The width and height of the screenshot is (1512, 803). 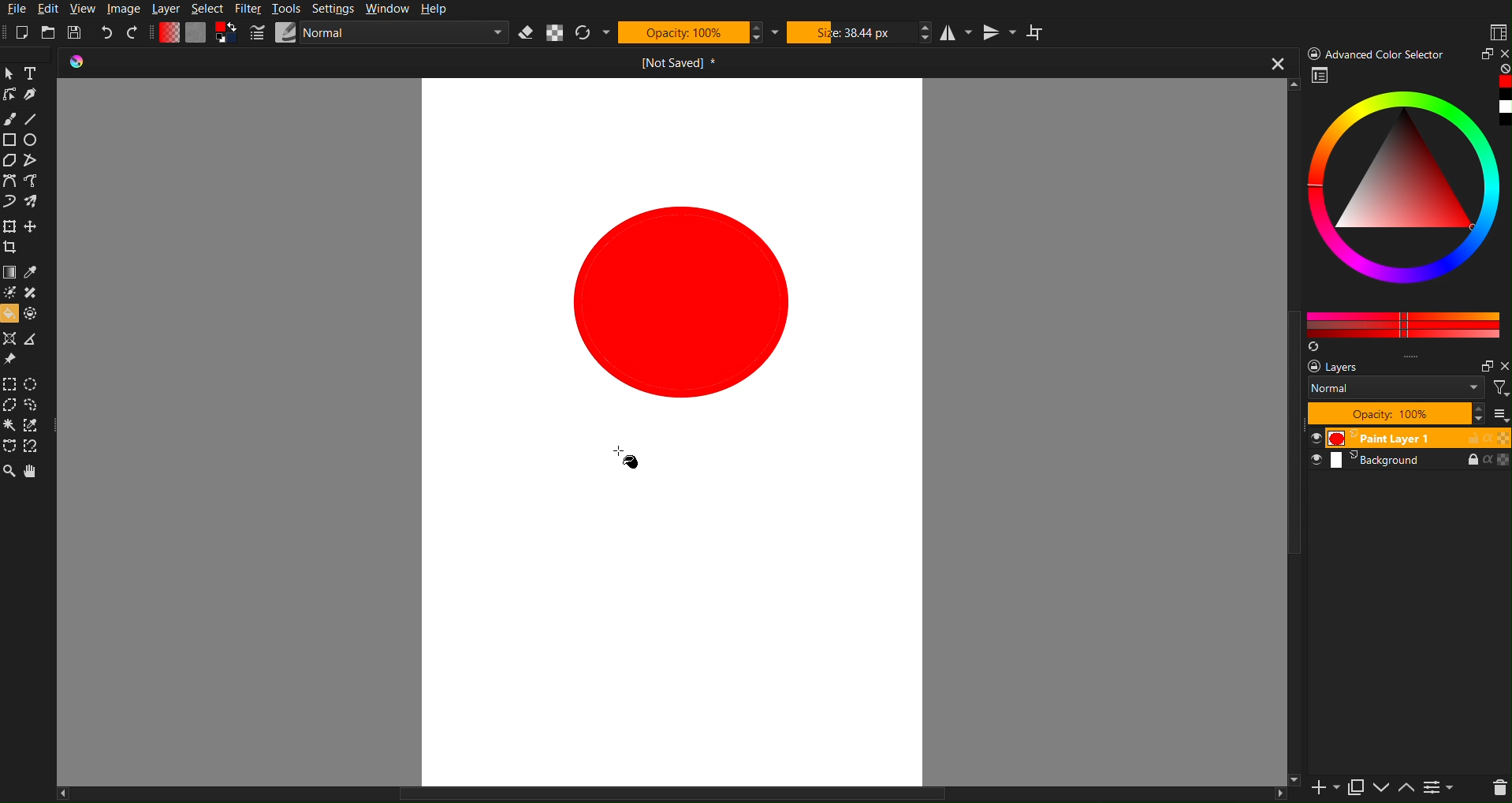 I want to click on Pointer, so click(x=10, y=73).